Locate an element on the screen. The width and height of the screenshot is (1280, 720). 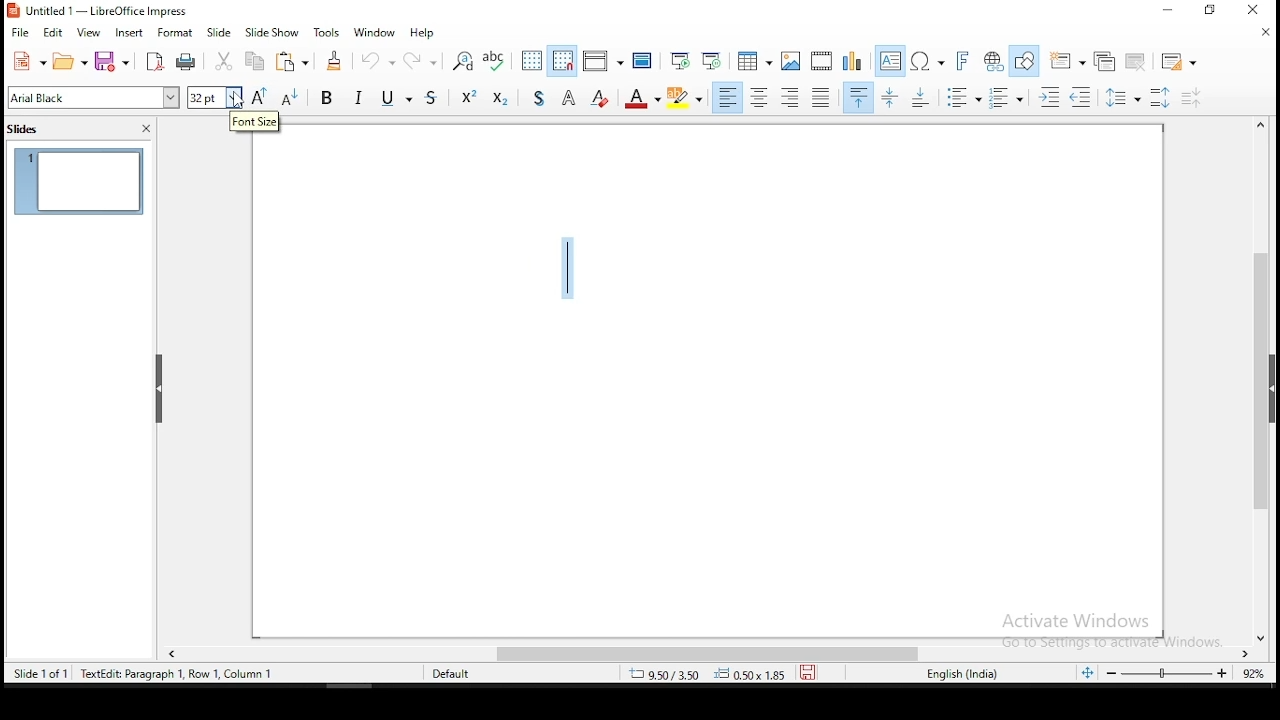
Space above Paragraph is located at coordinates (923, 97).